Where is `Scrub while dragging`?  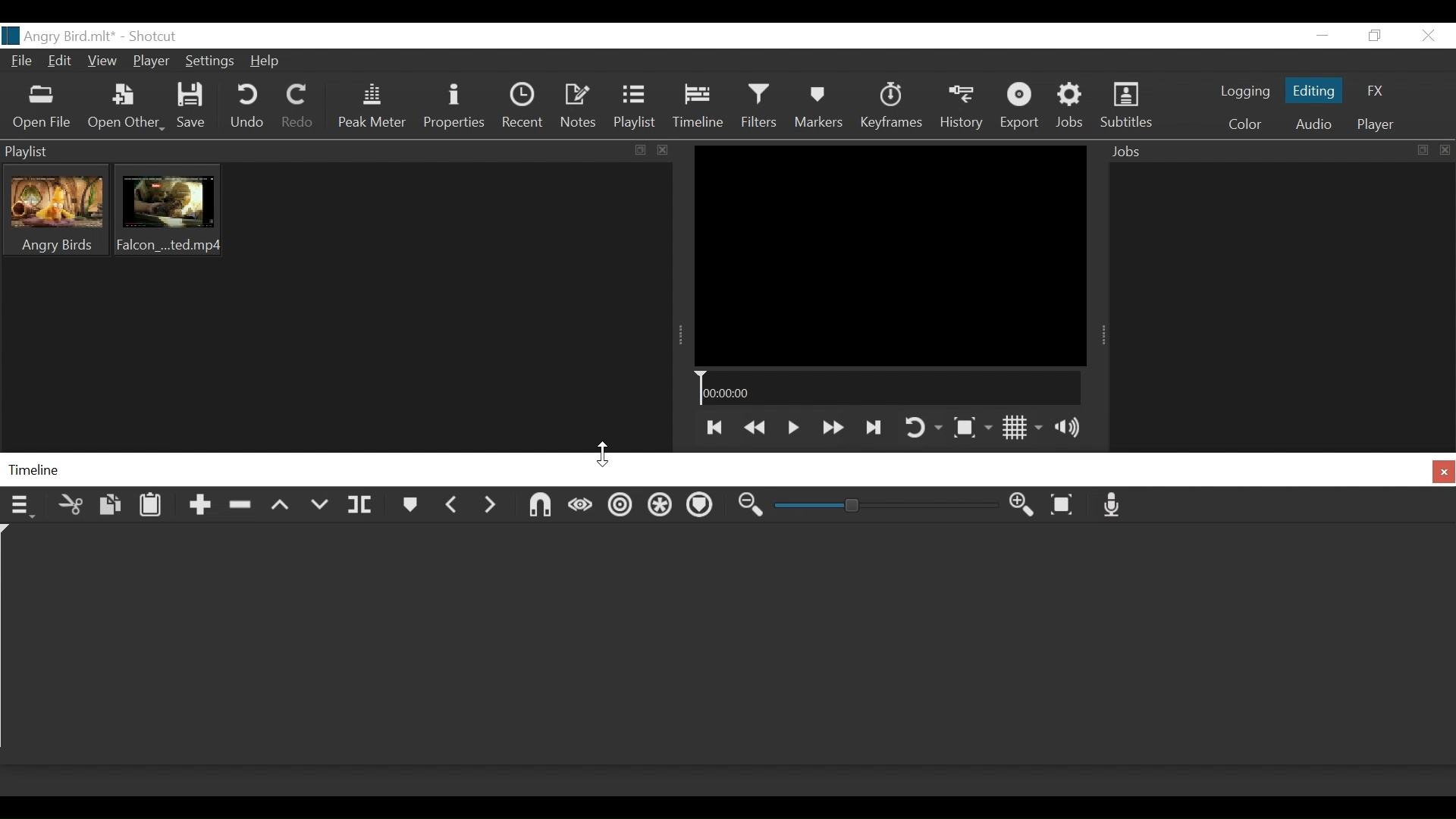 Scrub while dragging is located at coordinates (580, 507).